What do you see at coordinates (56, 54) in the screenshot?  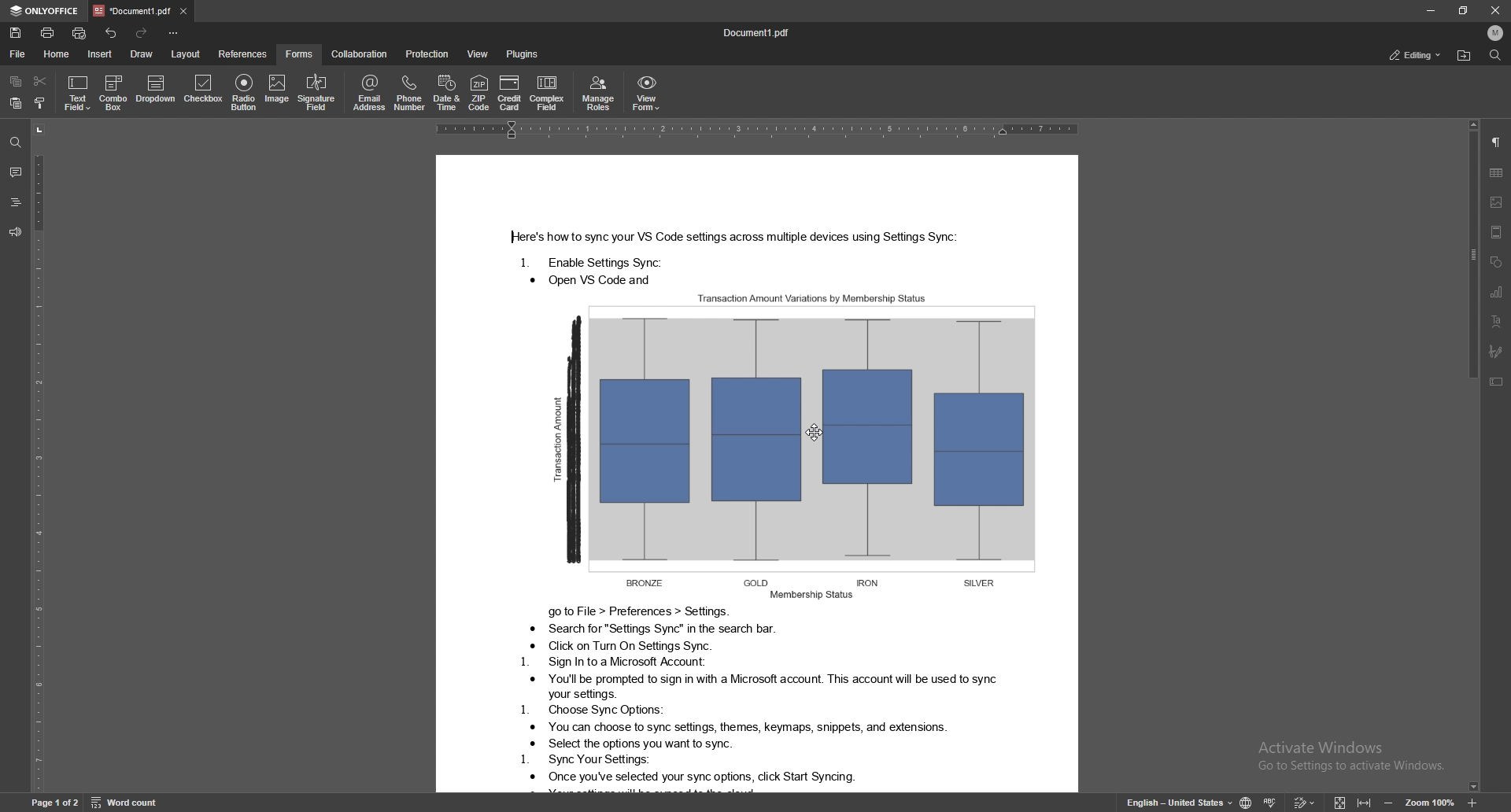 I see `home` at bounding box center [56, 54].